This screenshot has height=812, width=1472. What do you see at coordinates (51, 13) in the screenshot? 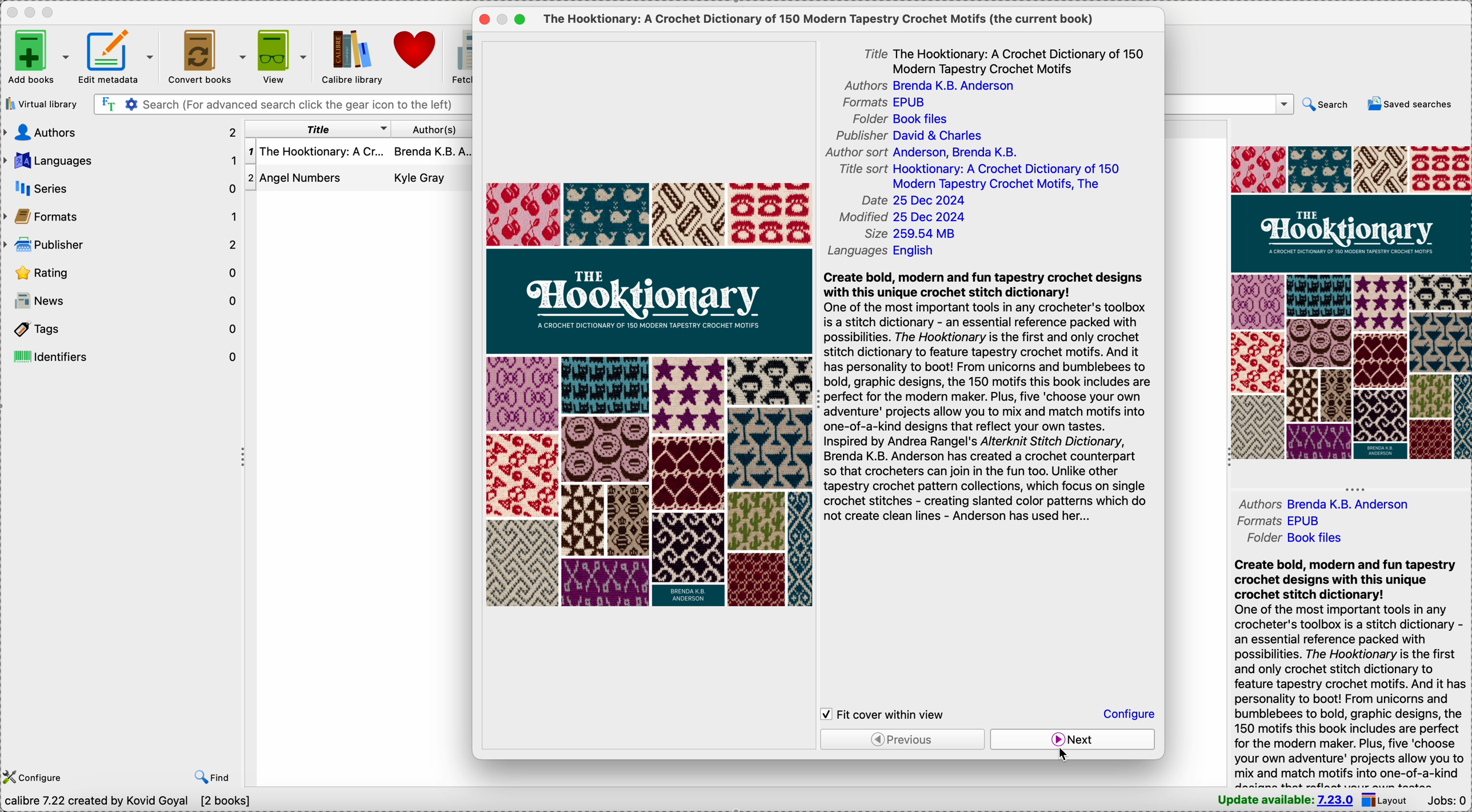
I see `maximize` at bounding box center [51, 13].